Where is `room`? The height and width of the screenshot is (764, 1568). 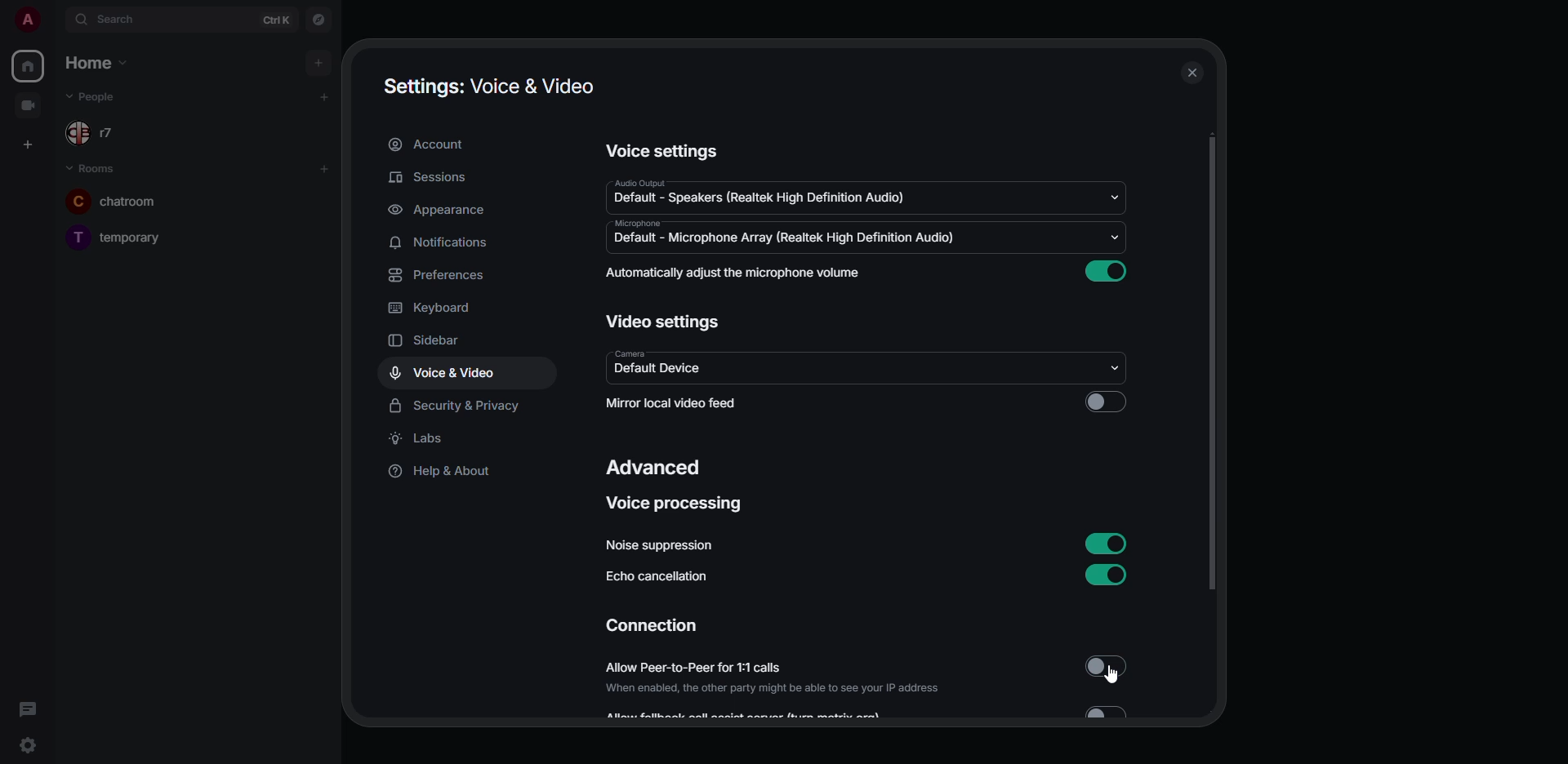 room is located at coordinates (125, 198).